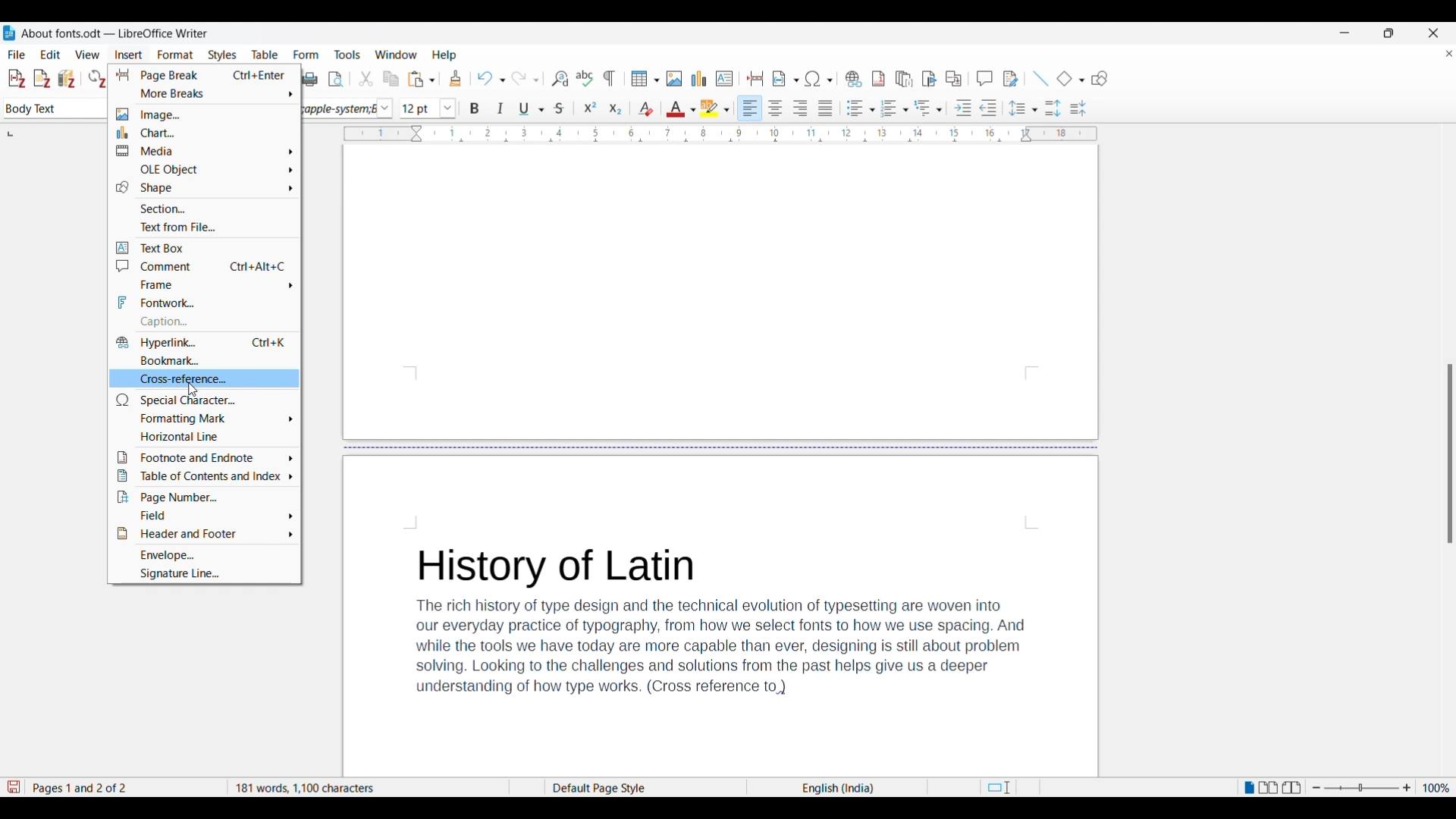 The height and width of the screenshot is (819, 1456). I want to click on English(India), so click(825, 788).